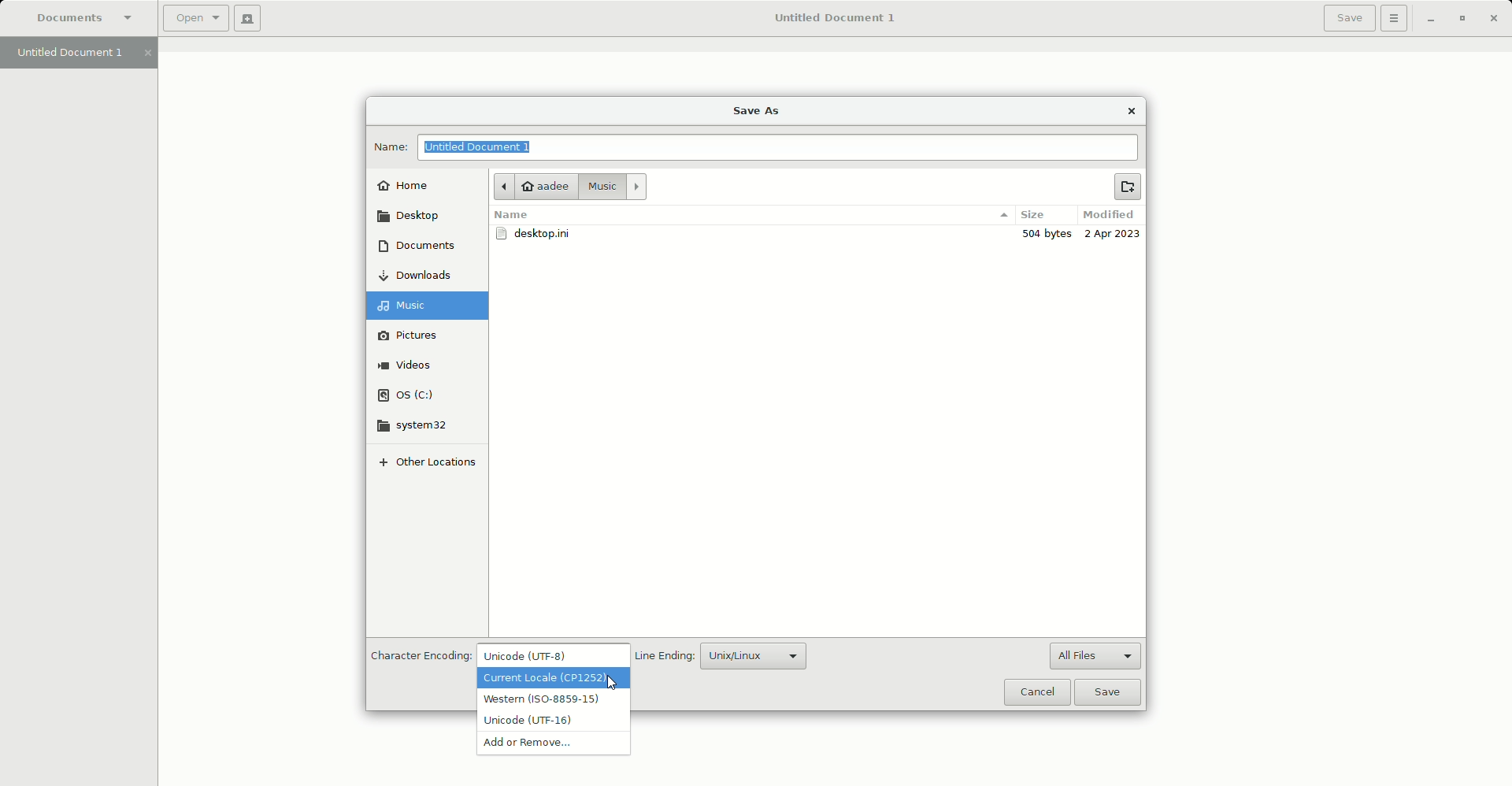  I want to click on Cancel, so click(1035, 690).